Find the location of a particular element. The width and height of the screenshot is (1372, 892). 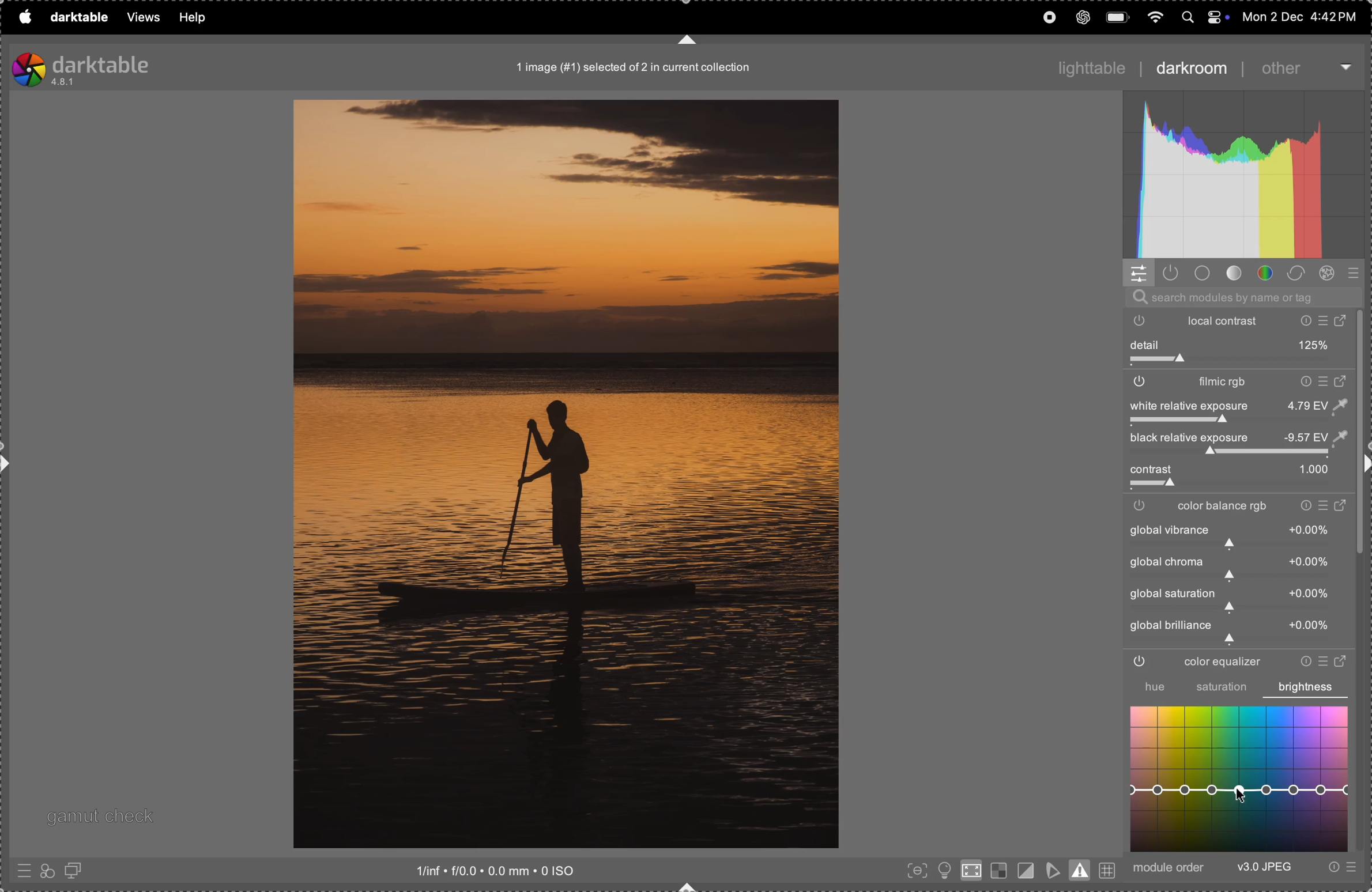

toggle bar is located at coordinates (1239, 362).